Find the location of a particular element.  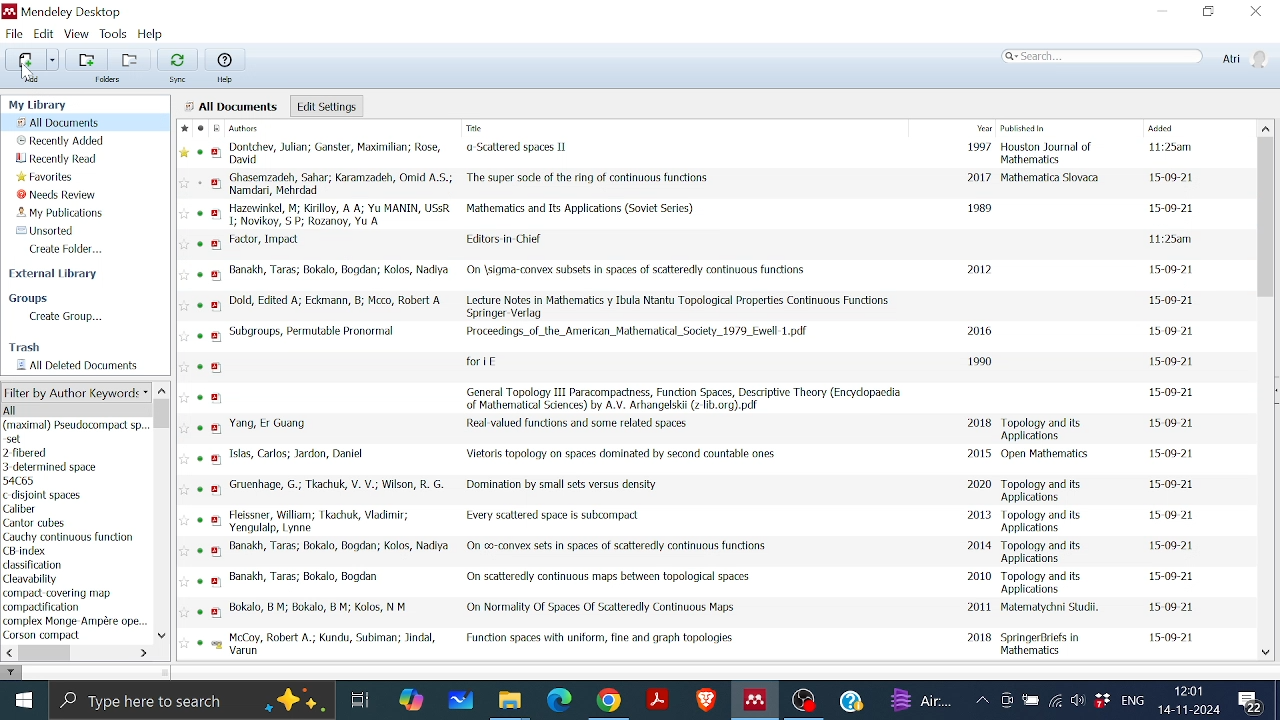

Title is located at coordinates (482, 362).